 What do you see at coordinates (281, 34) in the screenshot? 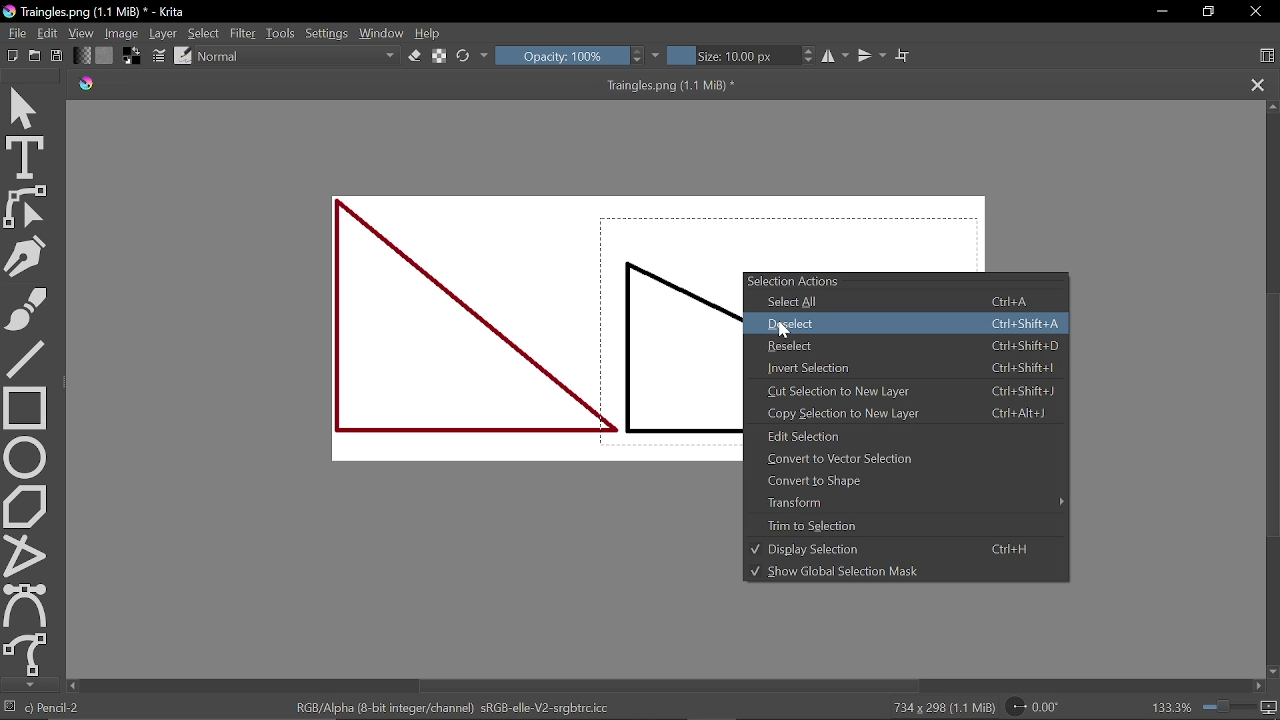
I see `Tools` at bounding box center [281, 34].